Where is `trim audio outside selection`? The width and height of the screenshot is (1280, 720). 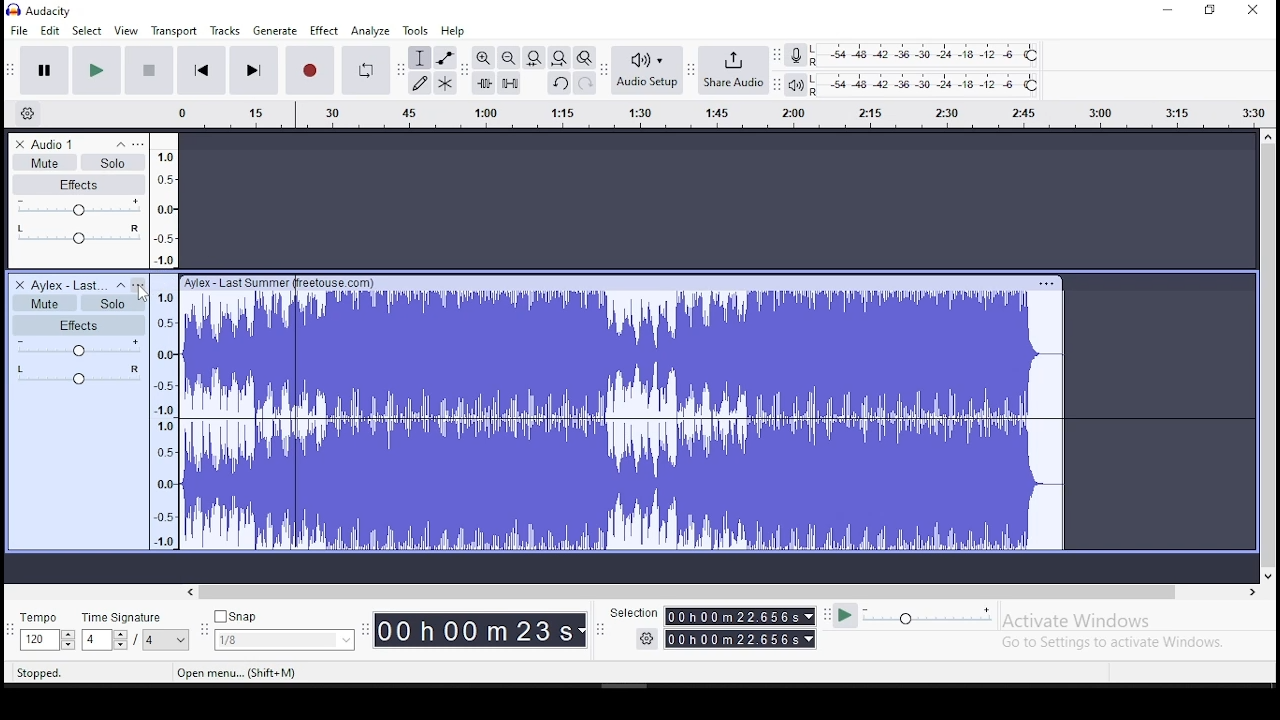
trim audio outside selection is located at coordinates (484, 83).